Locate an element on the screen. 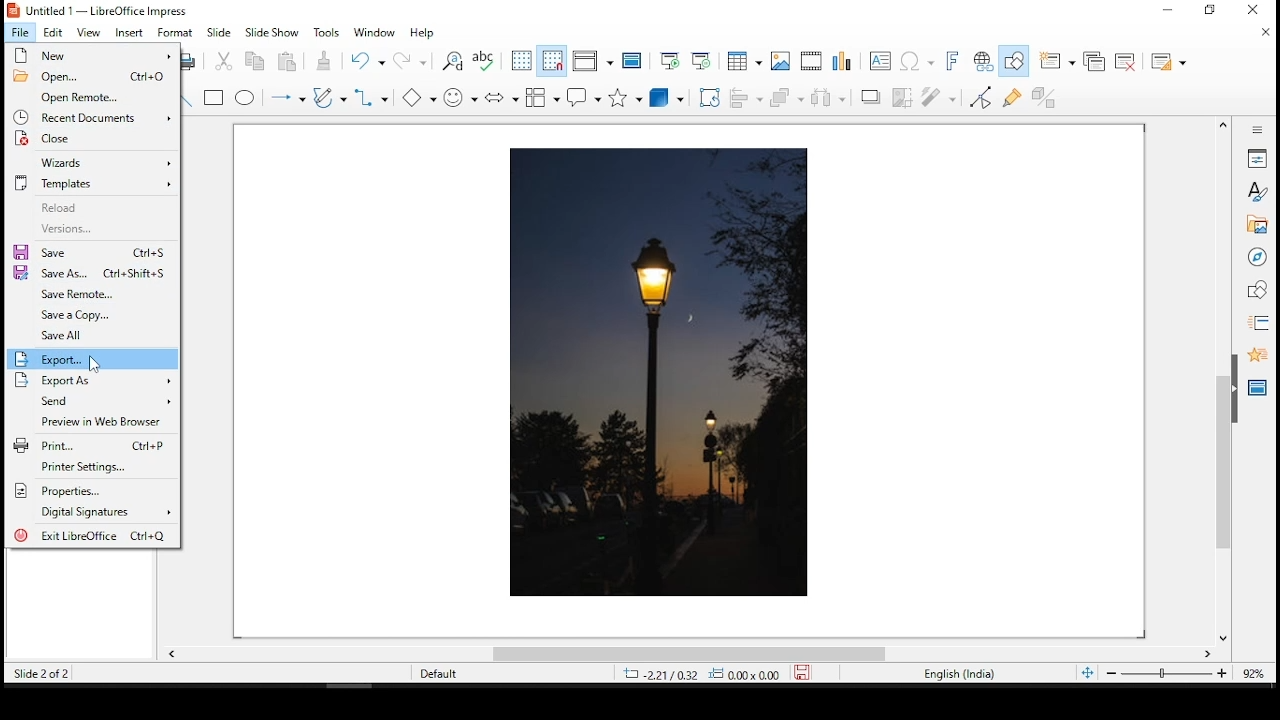 The image size is (1280, 720). line is located at coordinates (183, 96).